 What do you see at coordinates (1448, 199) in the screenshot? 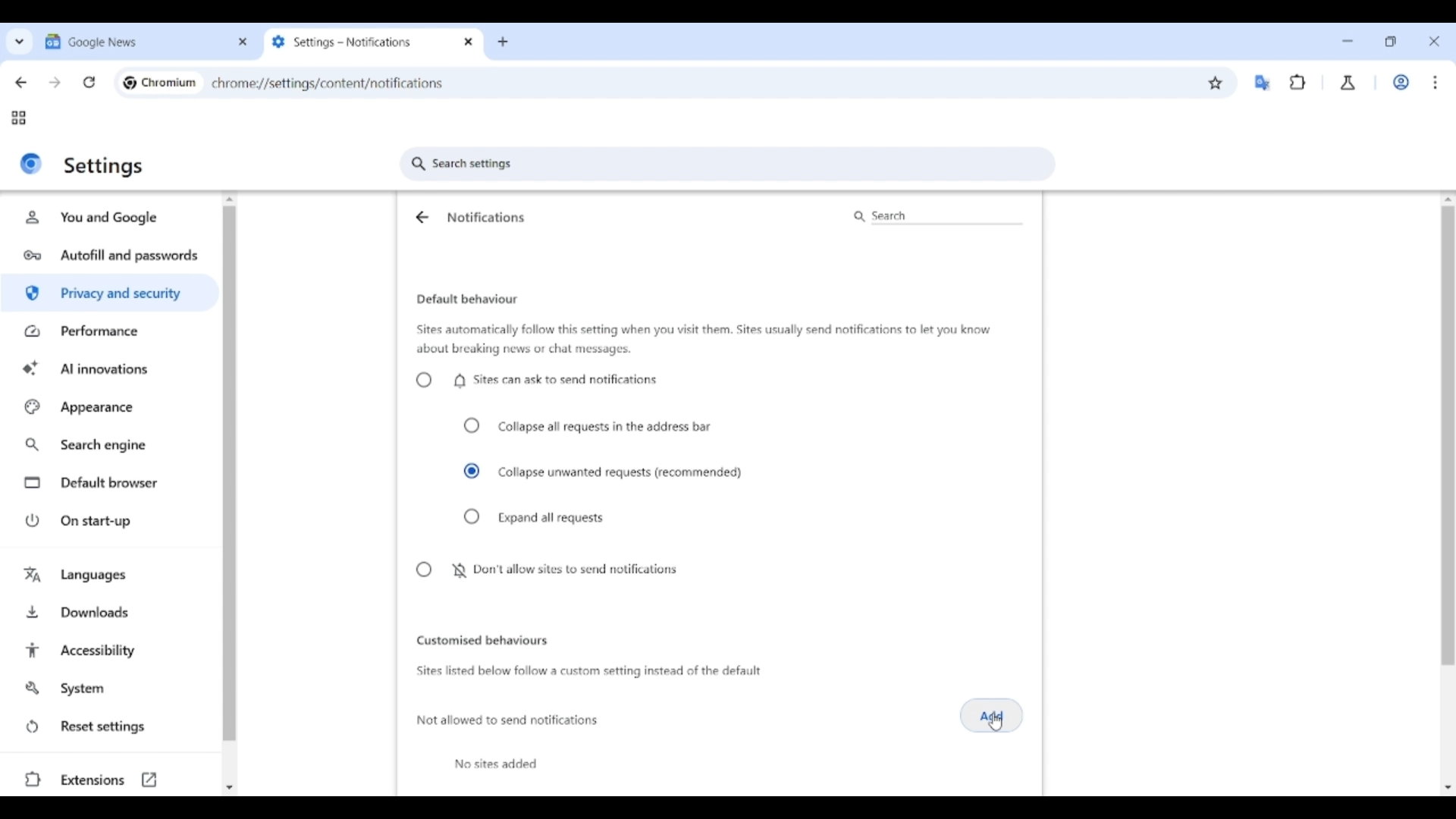
I see `Quick slide to top` at bounding box center [1448, 199].